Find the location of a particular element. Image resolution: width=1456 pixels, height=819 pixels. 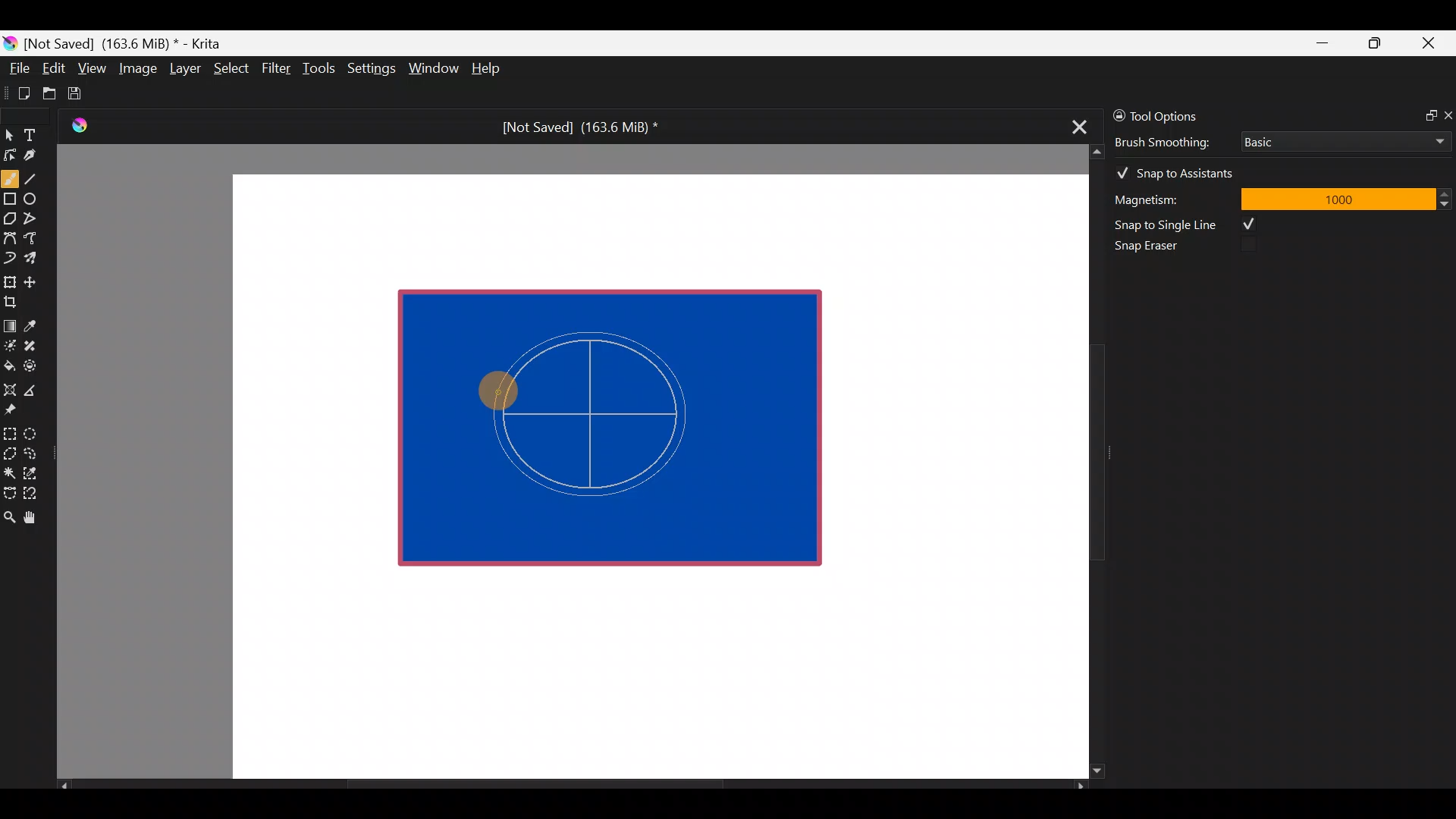

Tool options is located at coordinates (1178, 116).